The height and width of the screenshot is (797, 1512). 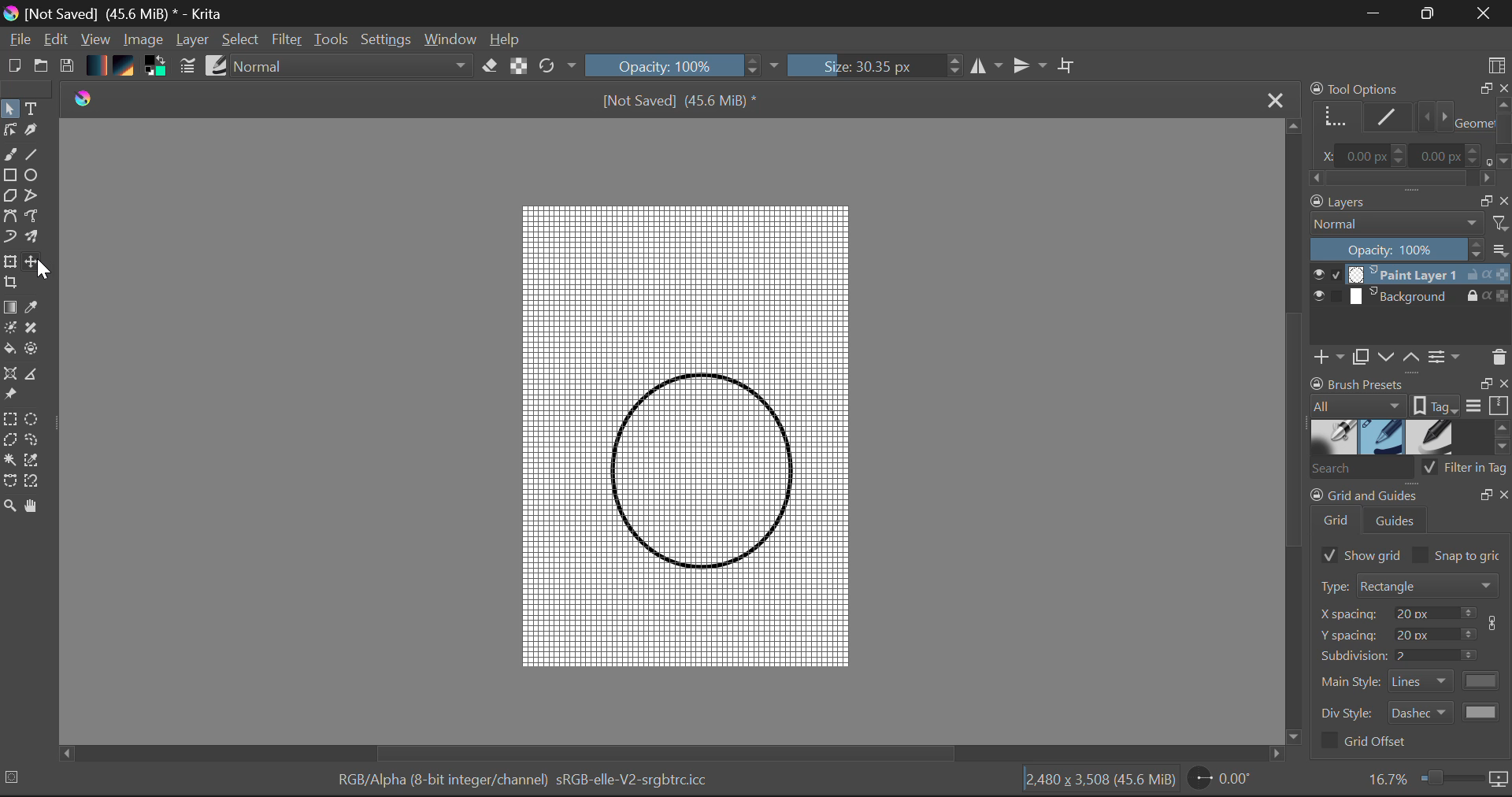 I want to click on Move Layer, so click(x=34, y=262).